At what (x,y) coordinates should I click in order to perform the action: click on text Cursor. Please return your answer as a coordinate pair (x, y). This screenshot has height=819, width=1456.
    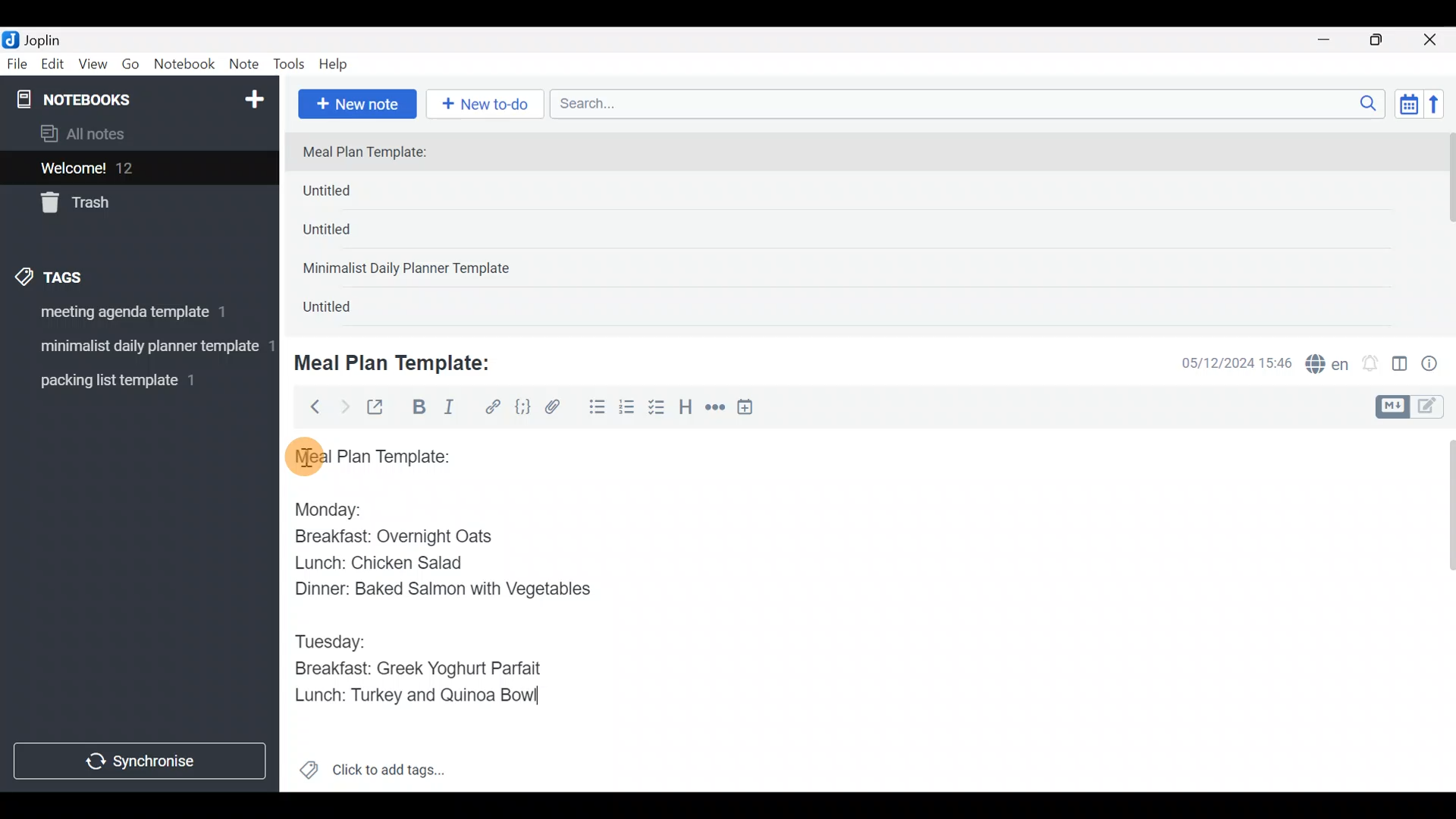
    Looking at the image, I should click on (561, 701).